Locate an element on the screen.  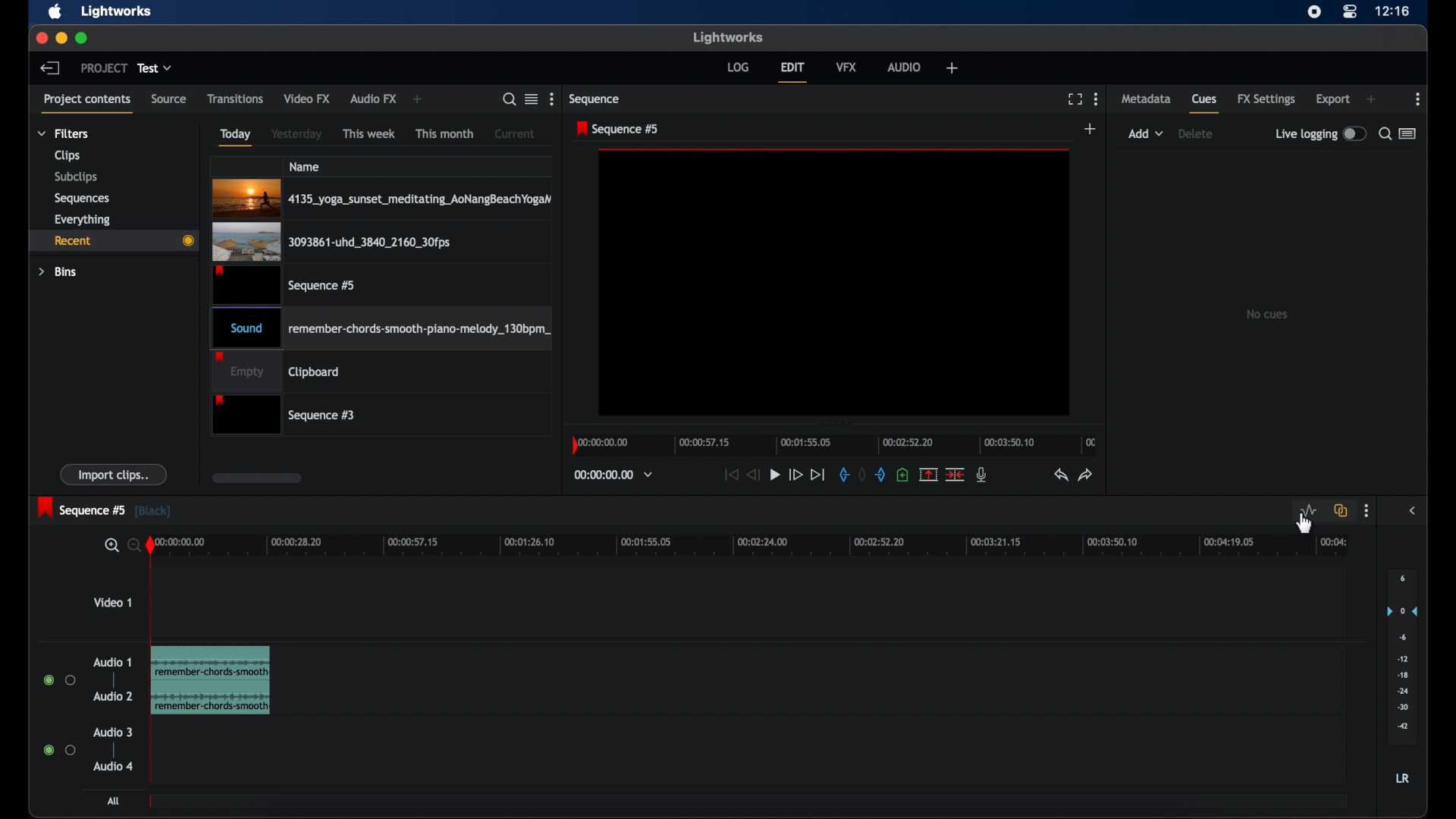
transitions is located at coordinates (235, 99).